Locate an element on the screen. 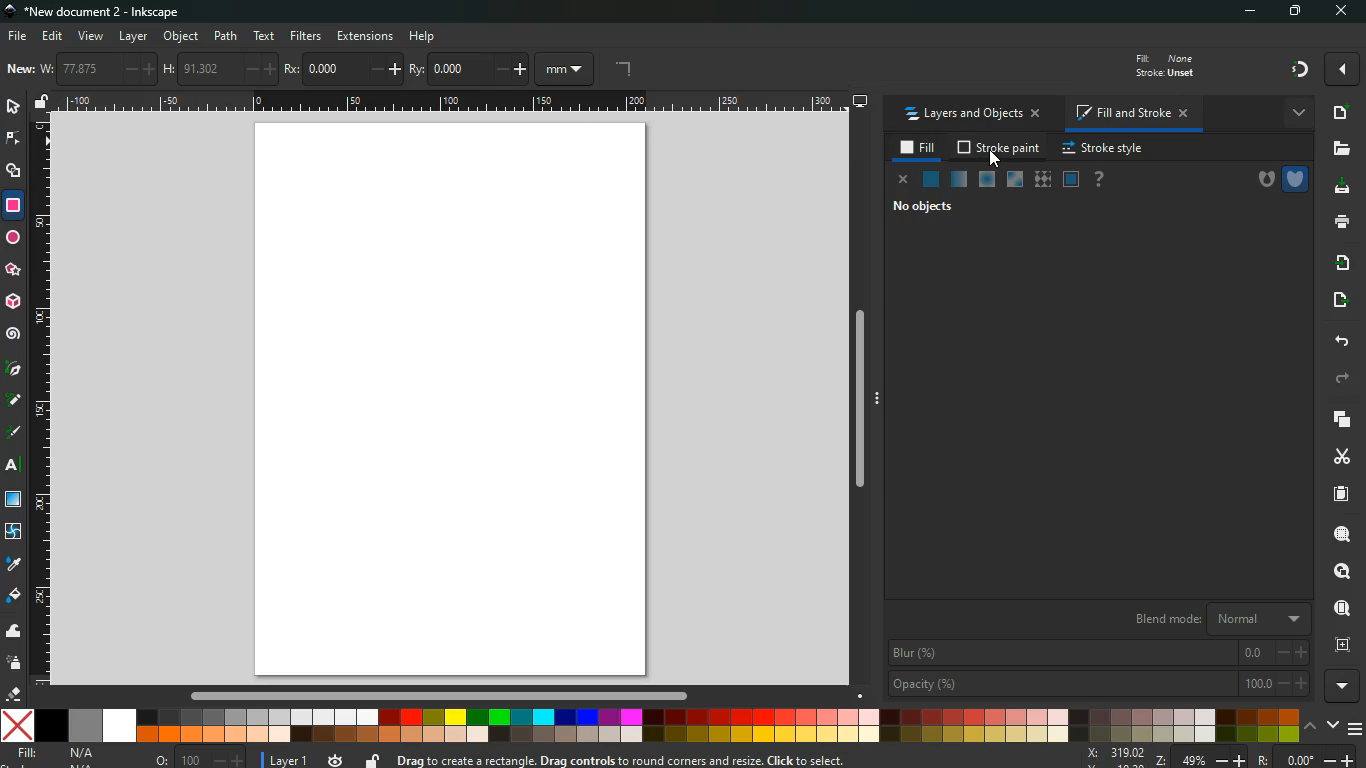 The height and width of the screenshot is (768, 1366). text is located at coordinates (266, 37).